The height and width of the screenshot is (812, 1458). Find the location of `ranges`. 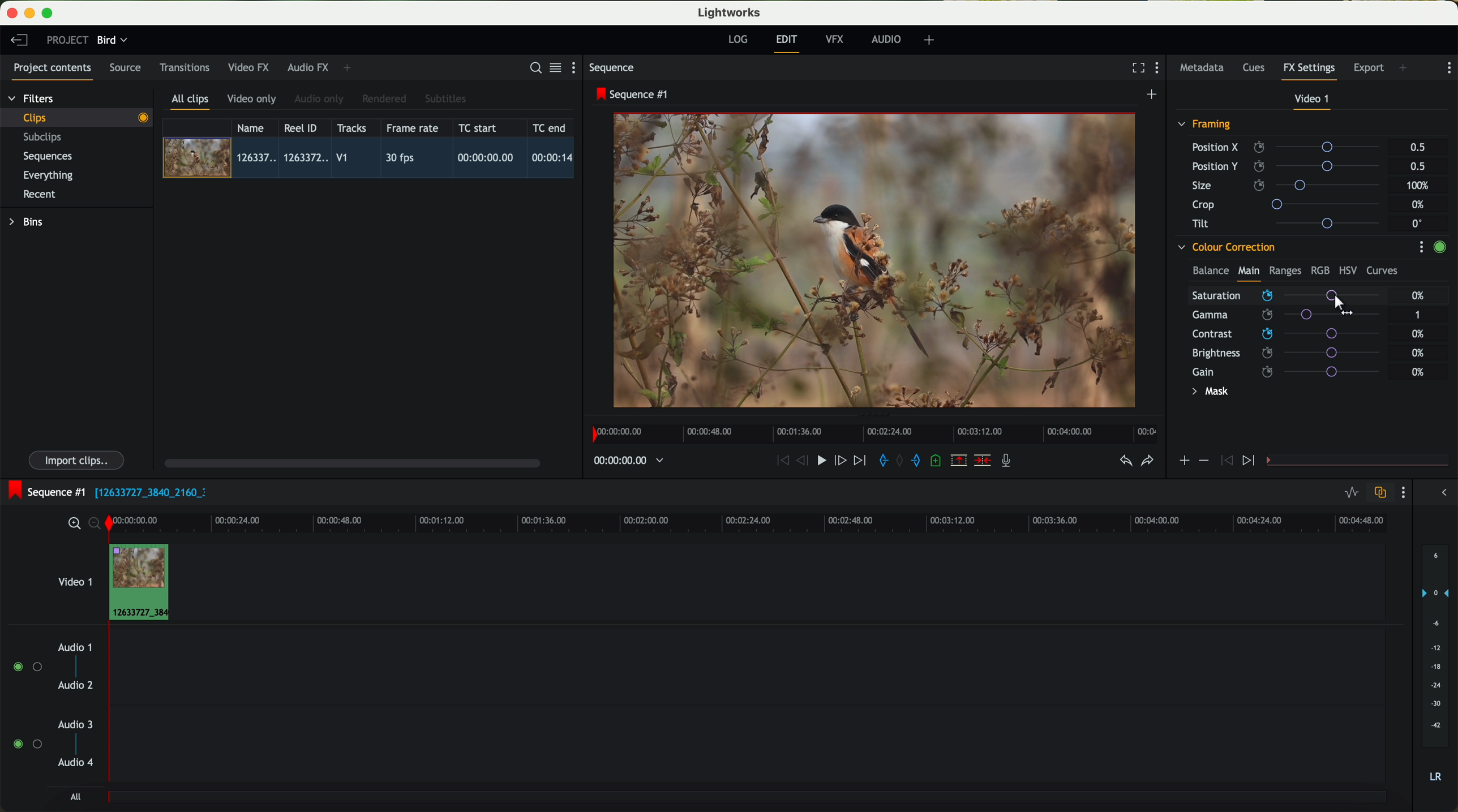

ranges is located at coordinates (1285, 270).